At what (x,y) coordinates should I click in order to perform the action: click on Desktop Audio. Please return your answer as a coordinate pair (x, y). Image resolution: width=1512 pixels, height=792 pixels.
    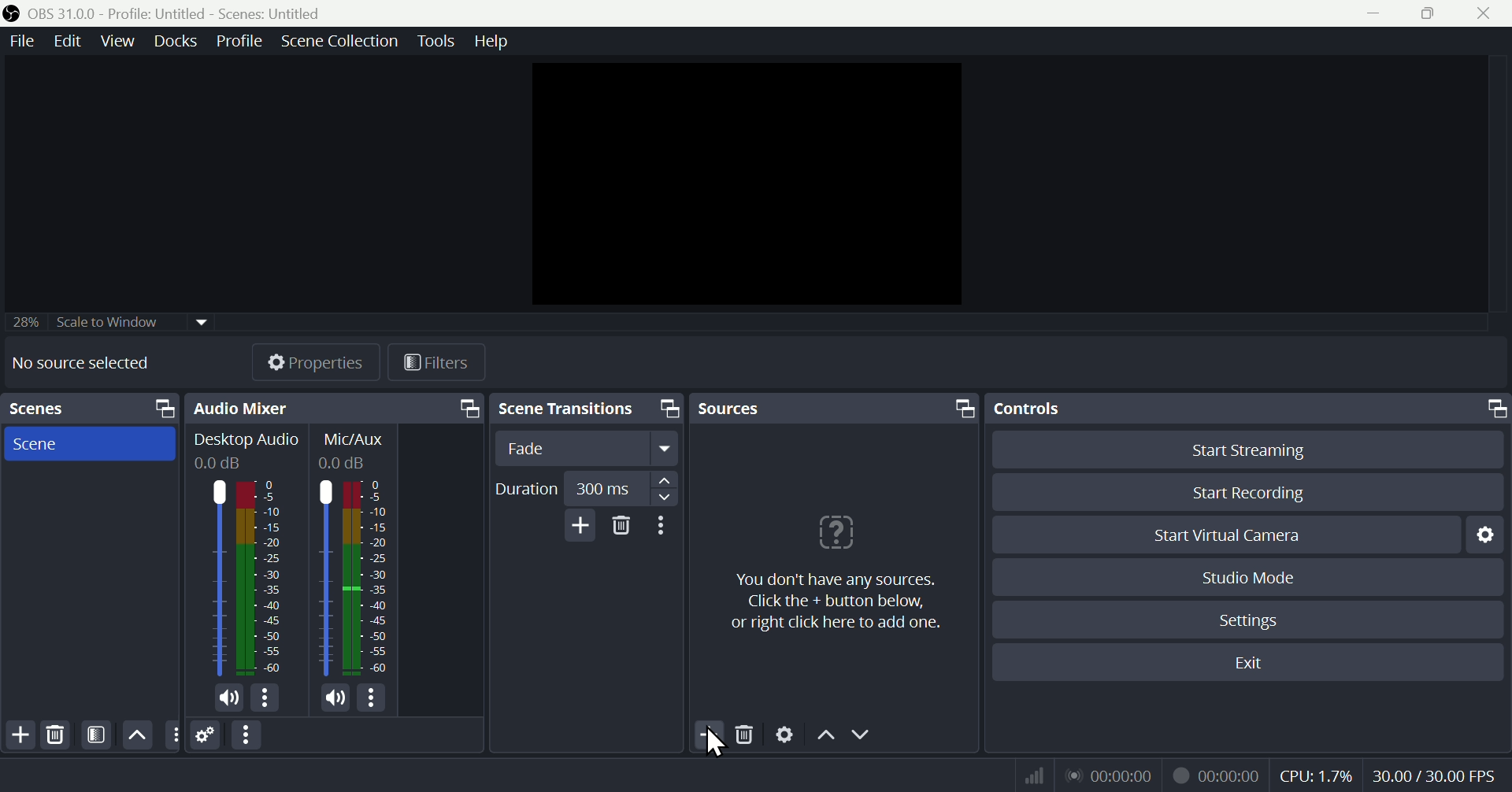
    Looking at the image, I should click on (246, 441).